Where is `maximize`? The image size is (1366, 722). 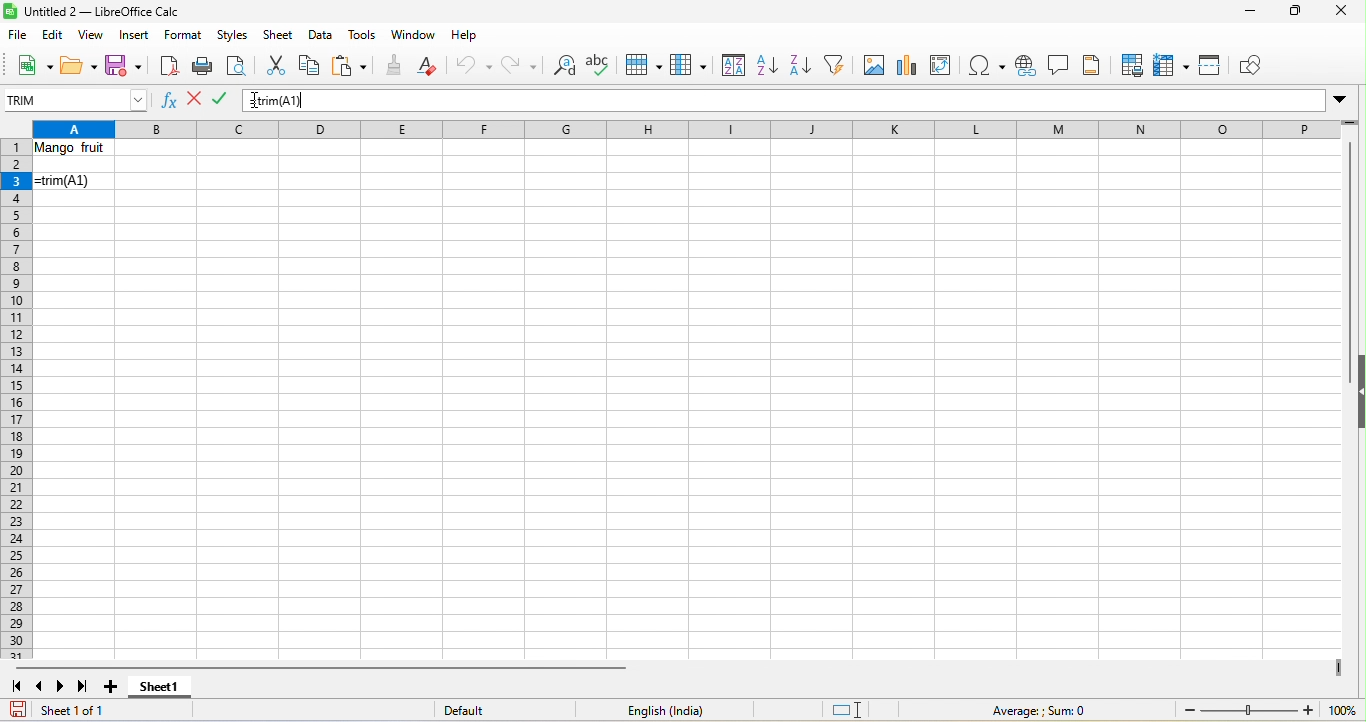 maximize is located at coordinates (1292, 13).